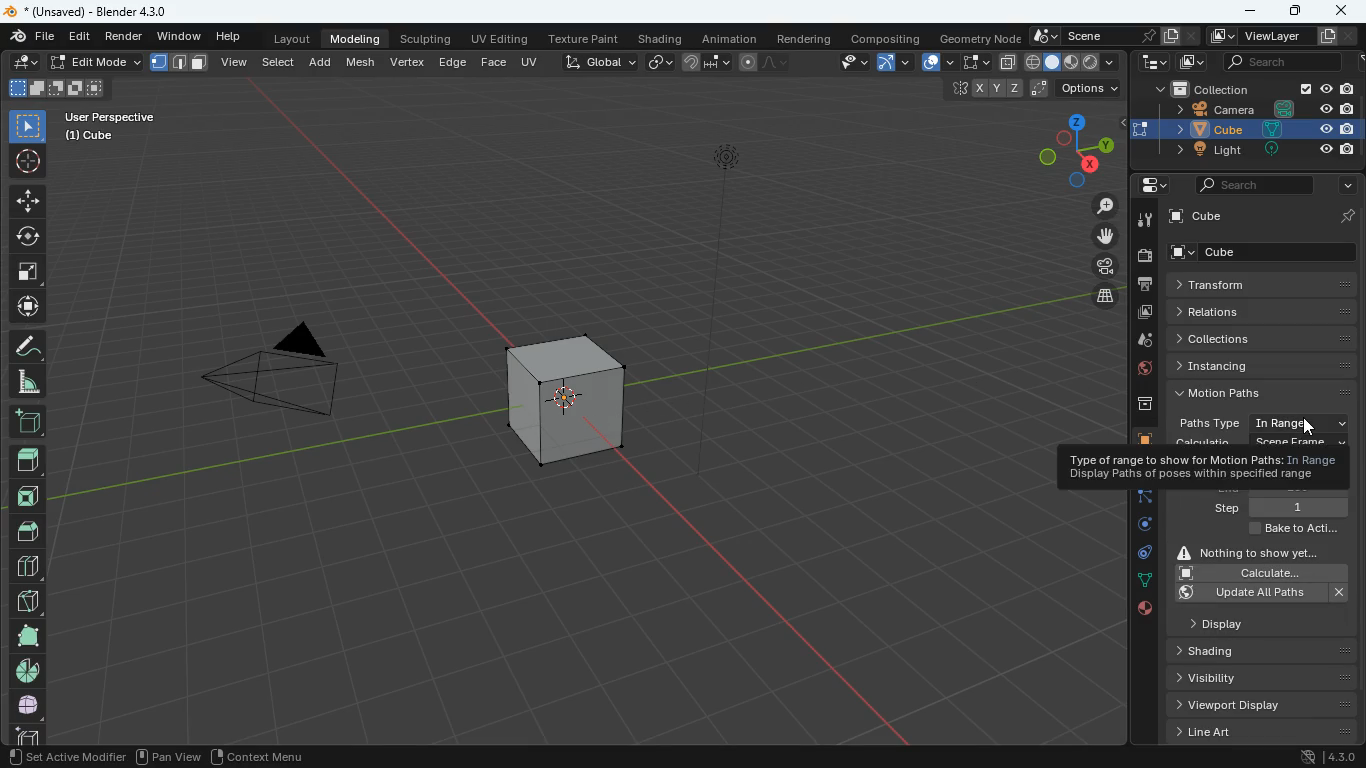 This screenshot has height=768, width=1366. Describe the element at coordinates (1135, 408) in the screenshot. I see `archieve` at that location.